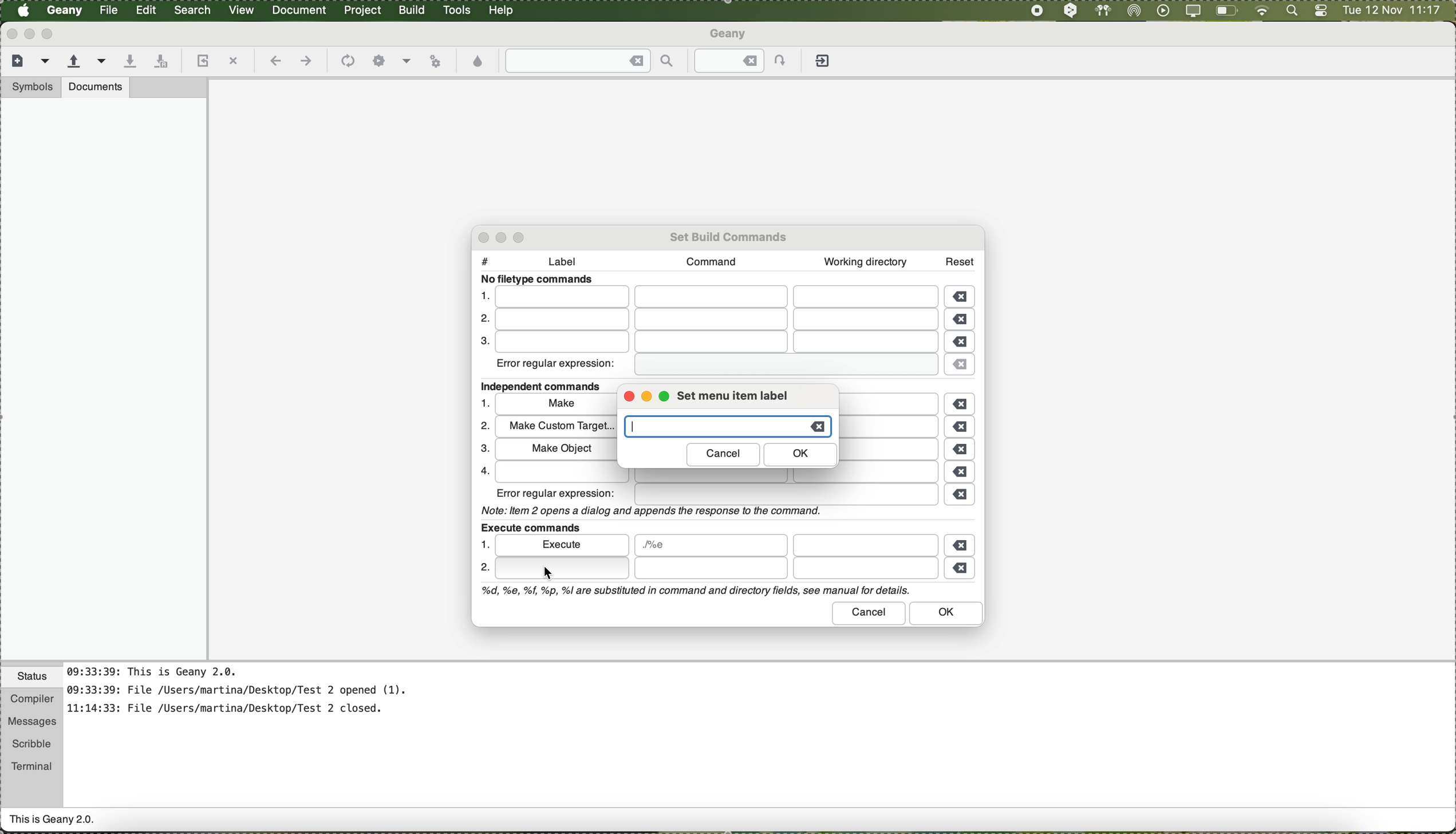 The height and width of the screenshot is (834, 1456). Describe the element at coordinates (485, 258) in the screenshot. I see `#` at that location.